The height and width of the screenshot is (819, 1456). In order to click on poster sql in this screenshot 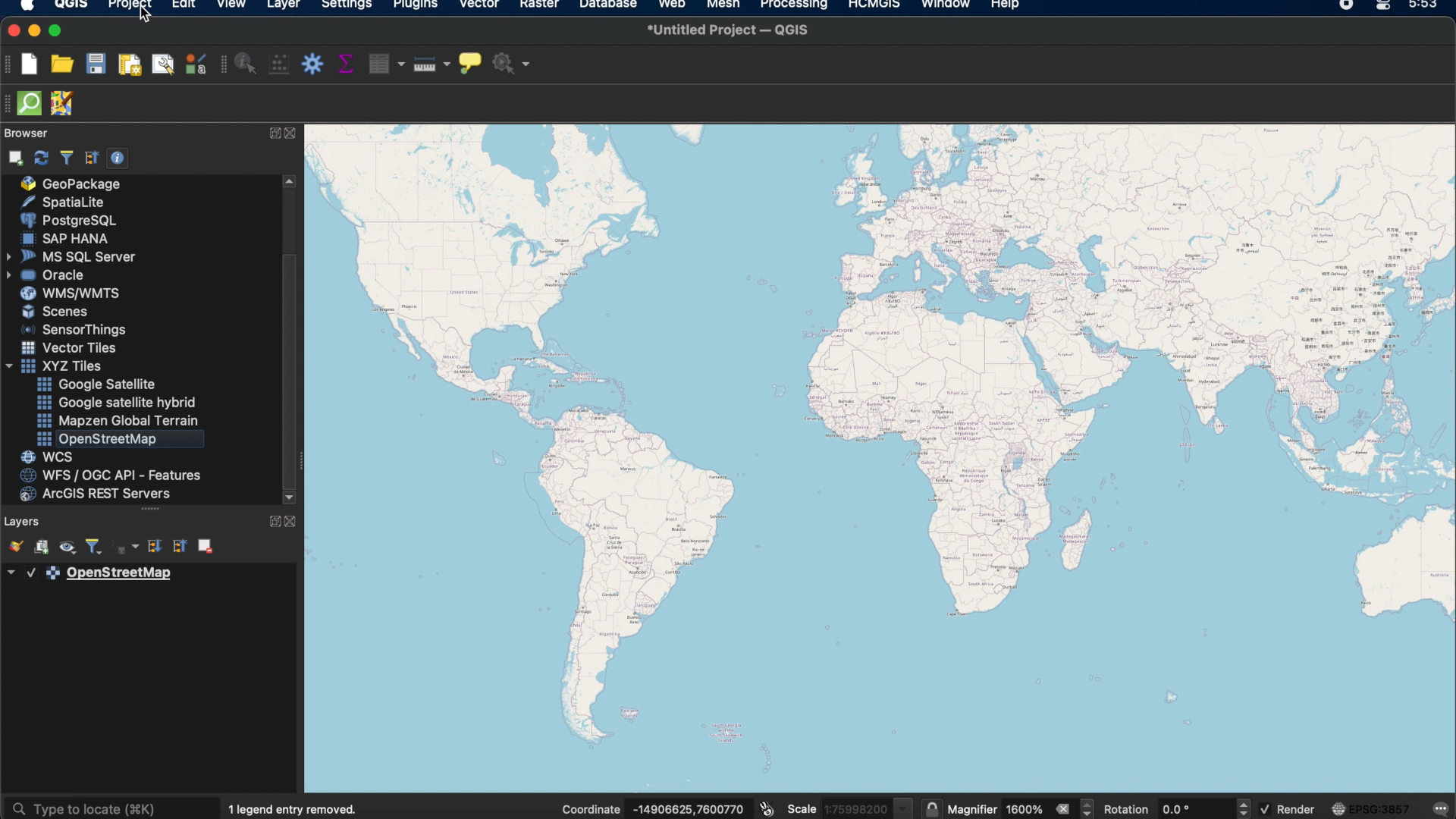, I will do `click(69, 220)`.